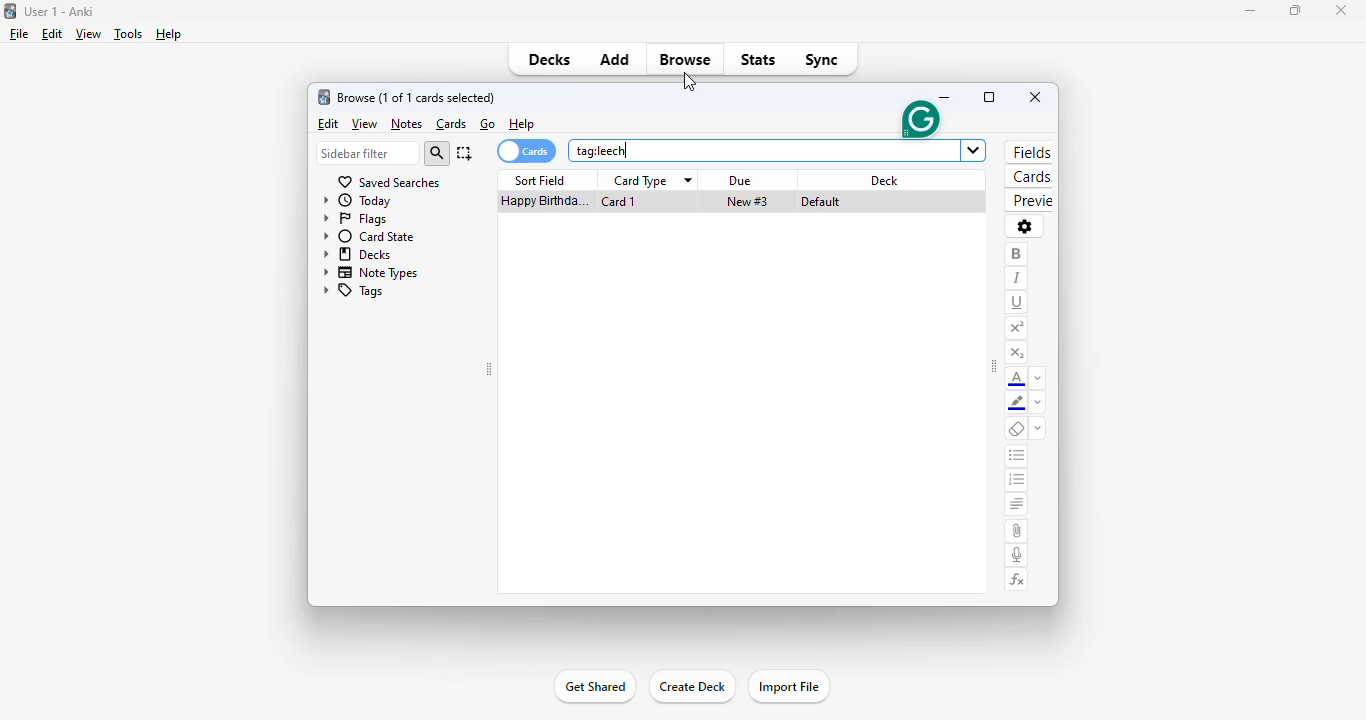 Image resolution: width=1366 pixels, height=720 pixels. Describe the element at coordinates (919, 119) in the screenshot. I see `grammarly extension` at that location.